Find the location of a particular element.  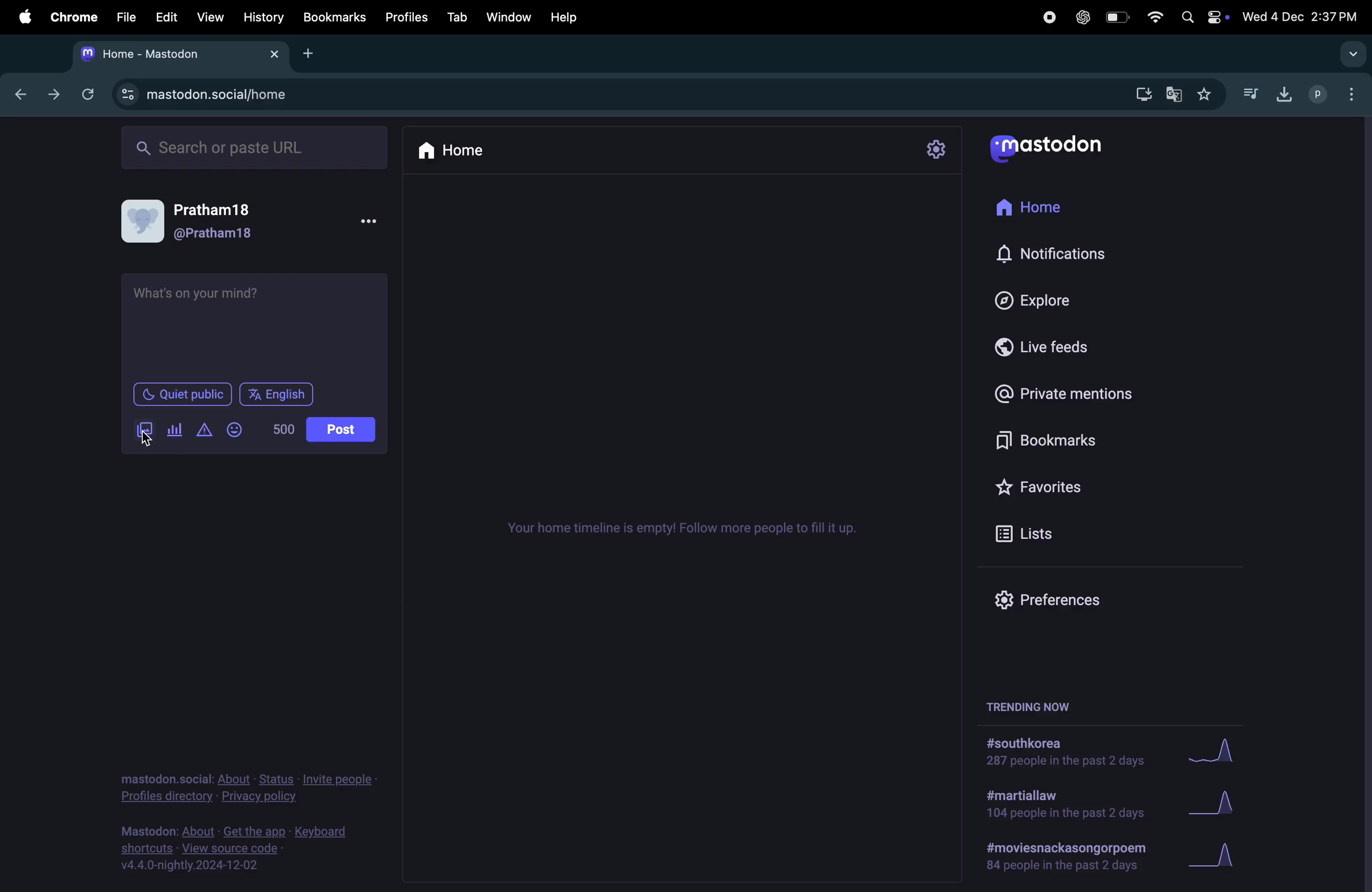

image is located at coordinates (145, 430).